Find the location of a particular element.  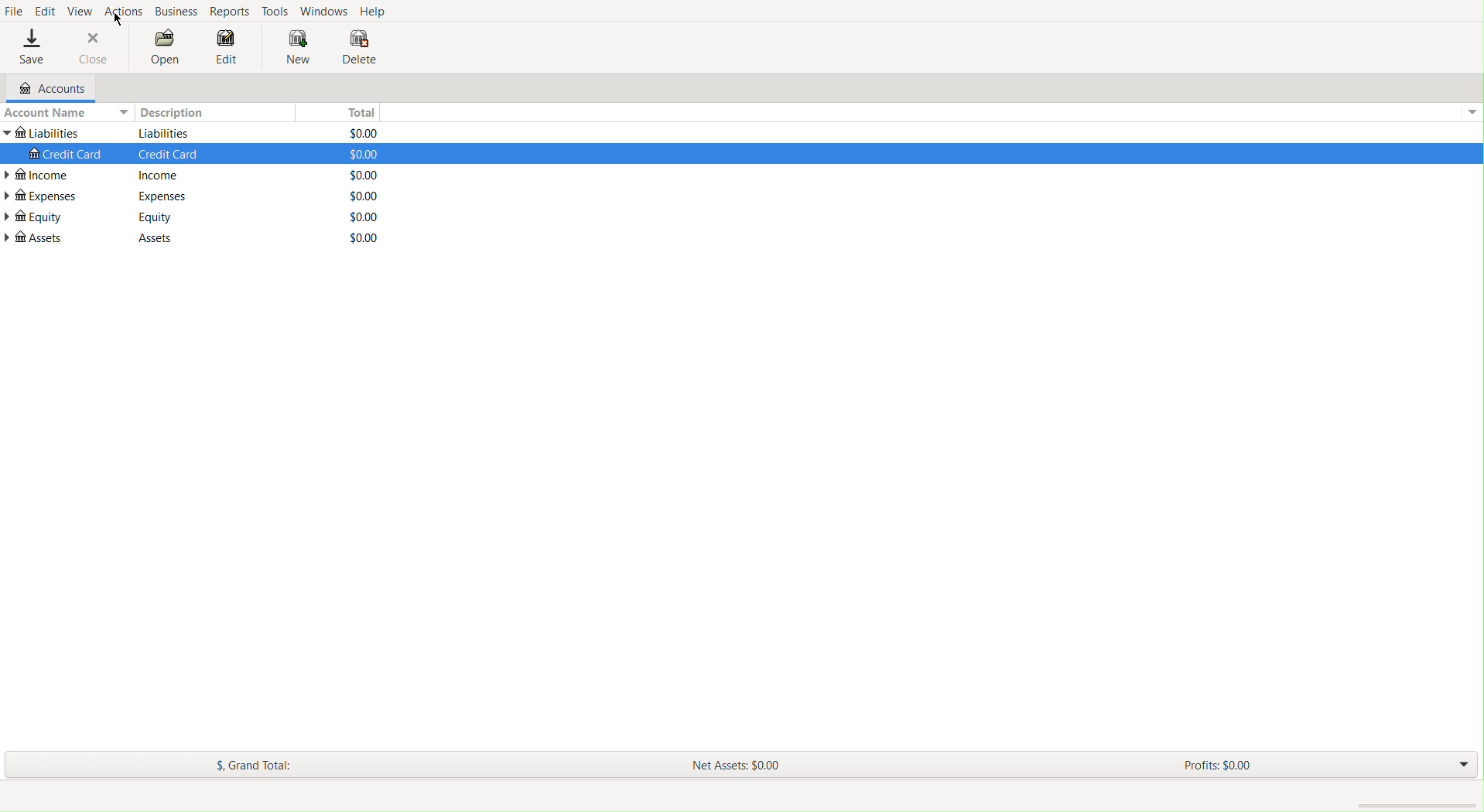

View is located at coordinates (80, 11).